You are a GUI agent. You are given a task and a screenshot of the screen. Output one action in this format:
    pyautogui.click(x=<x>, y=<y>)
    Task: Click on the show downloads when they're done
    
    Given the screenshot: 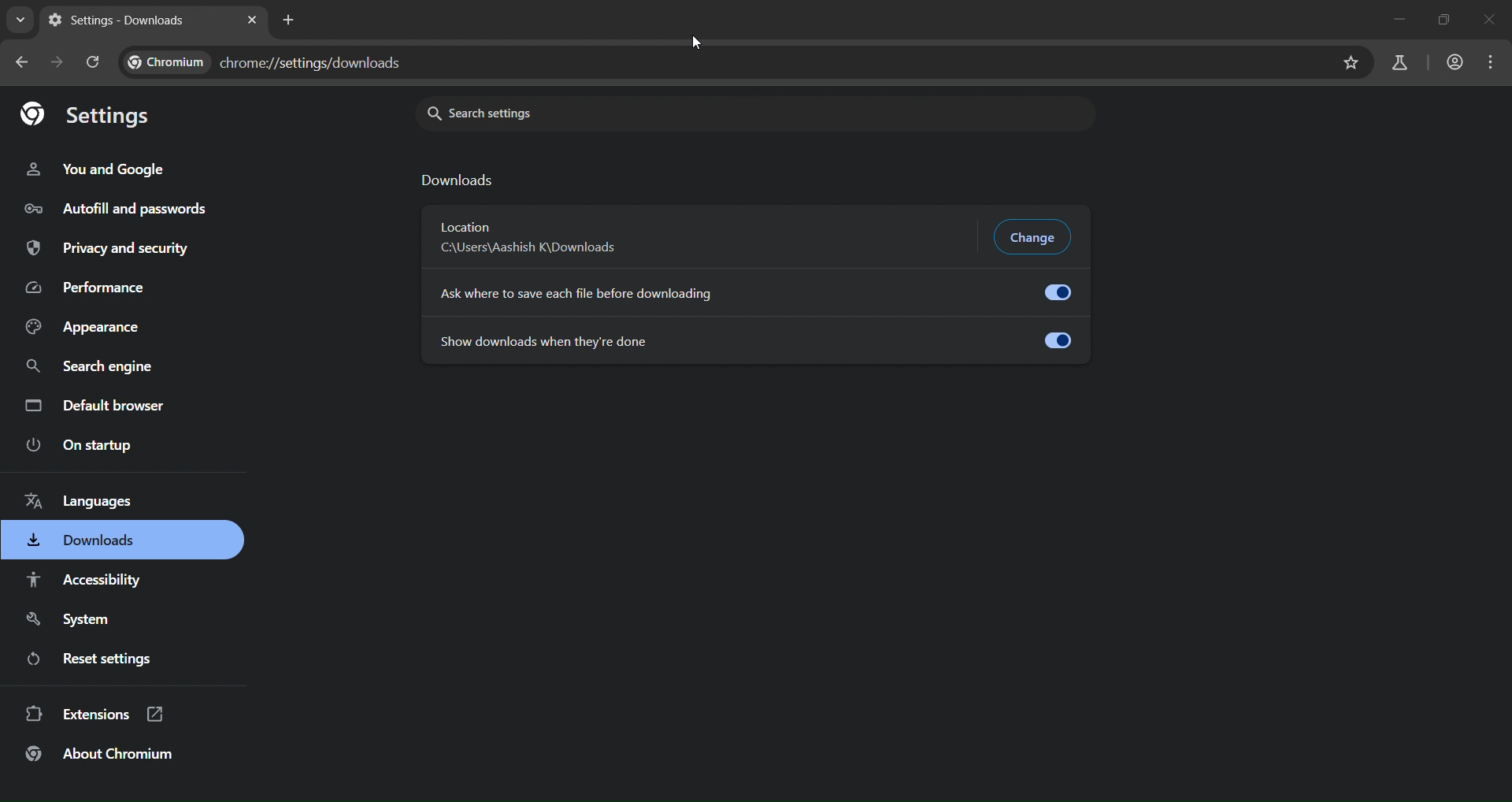 What is the action you would take?
    pyautogui.click(x=753, y=339)
    